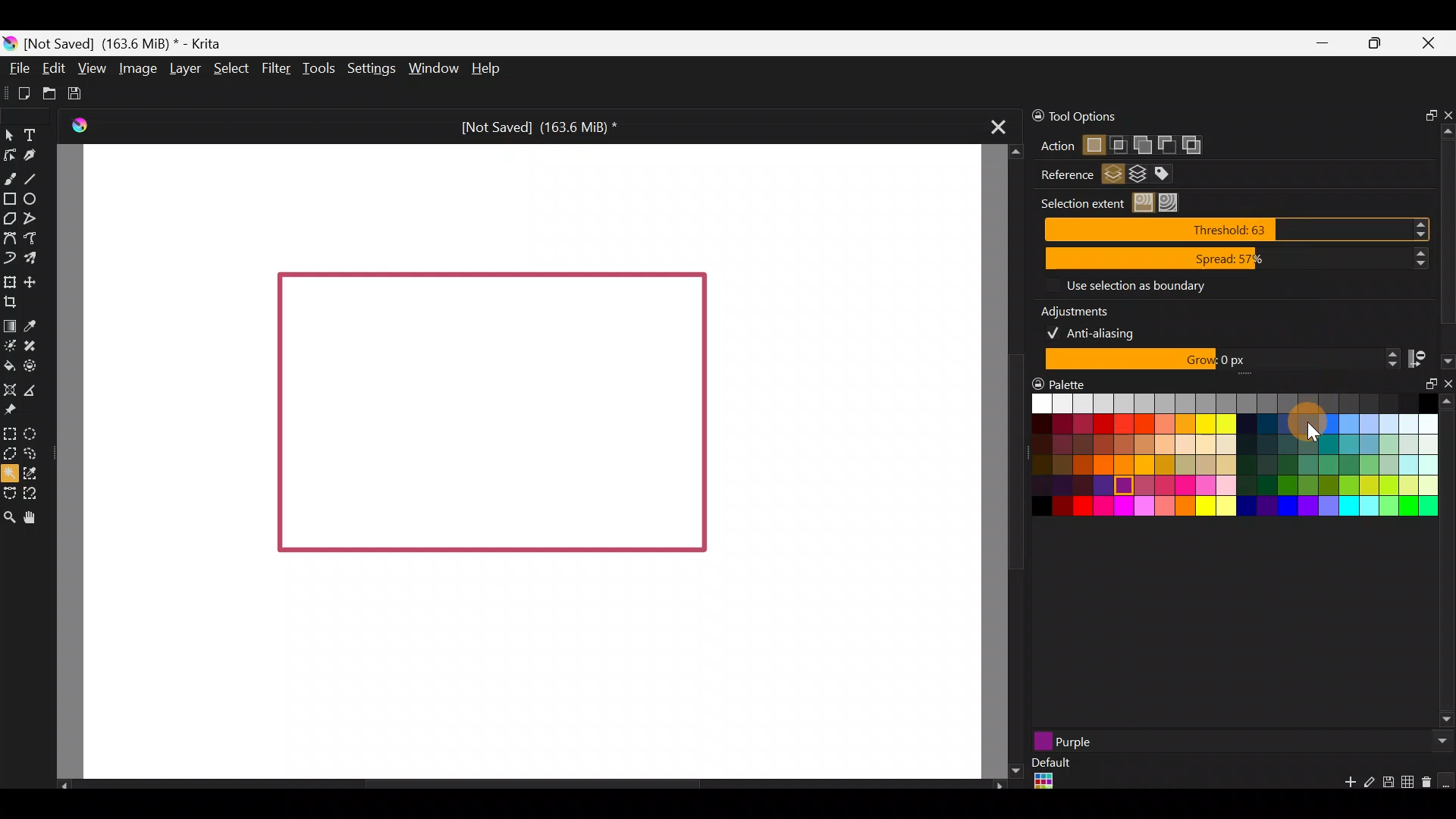 This screenshot has width=1456, height=819. I want to click on Use selection as boundary, so click(1134, 284).